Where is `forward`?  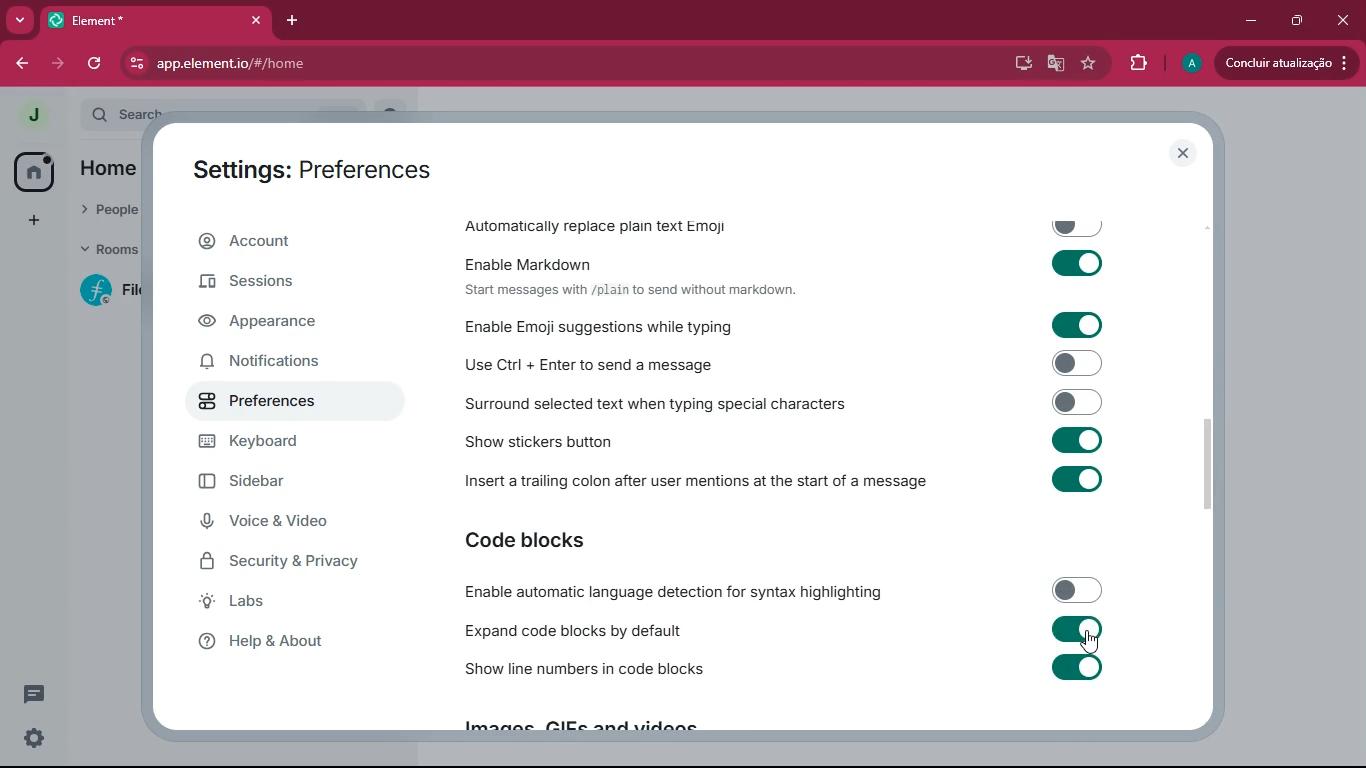
forward is located at coordinates (61, 64).